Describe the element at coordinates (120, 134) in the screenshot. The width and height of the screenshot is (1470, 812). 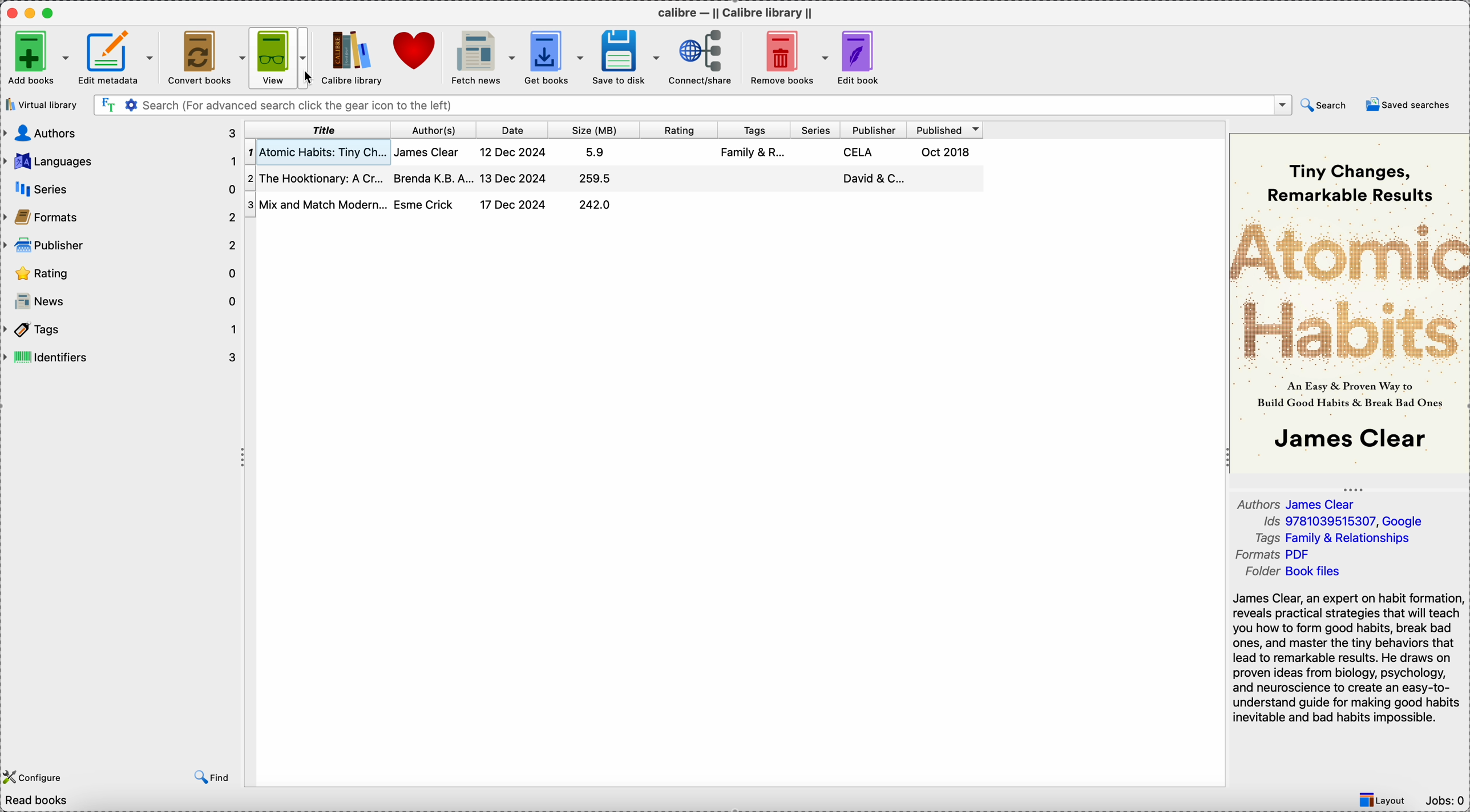
I see `authors` at that location.